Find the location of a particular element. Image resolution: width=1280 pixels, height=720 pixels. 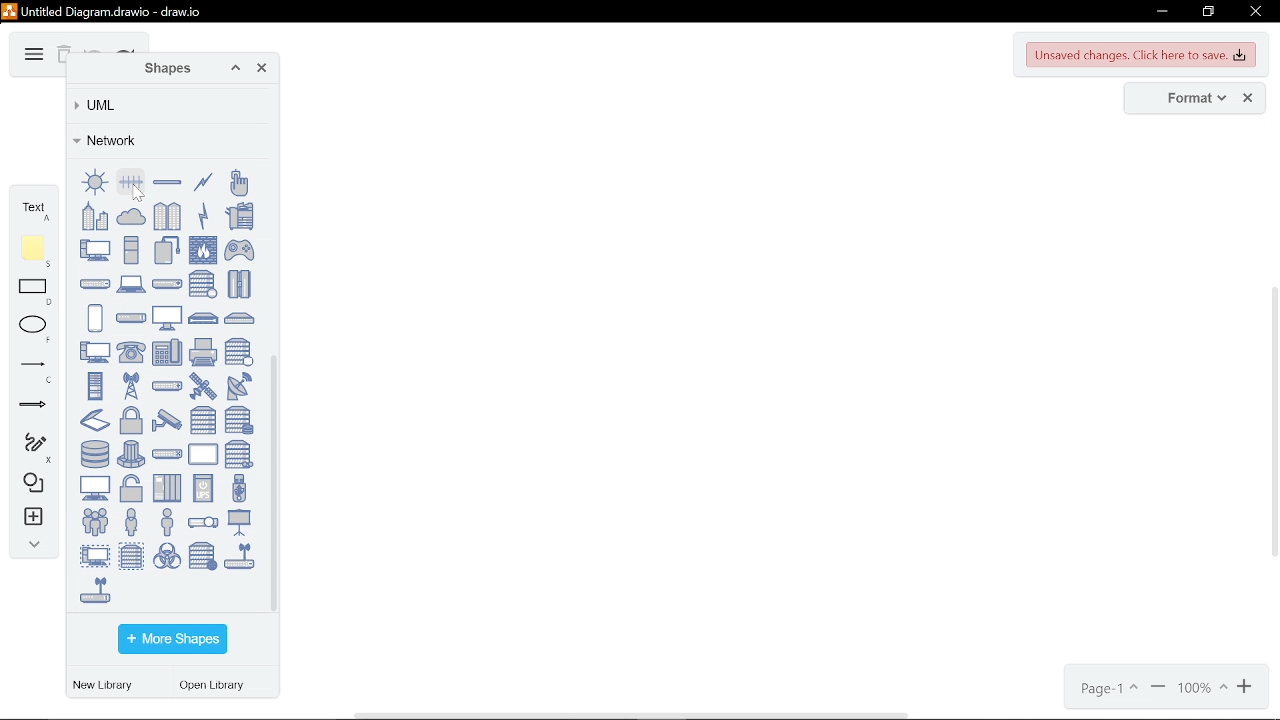

comm link (icon) is located at coordinates (203, 215).